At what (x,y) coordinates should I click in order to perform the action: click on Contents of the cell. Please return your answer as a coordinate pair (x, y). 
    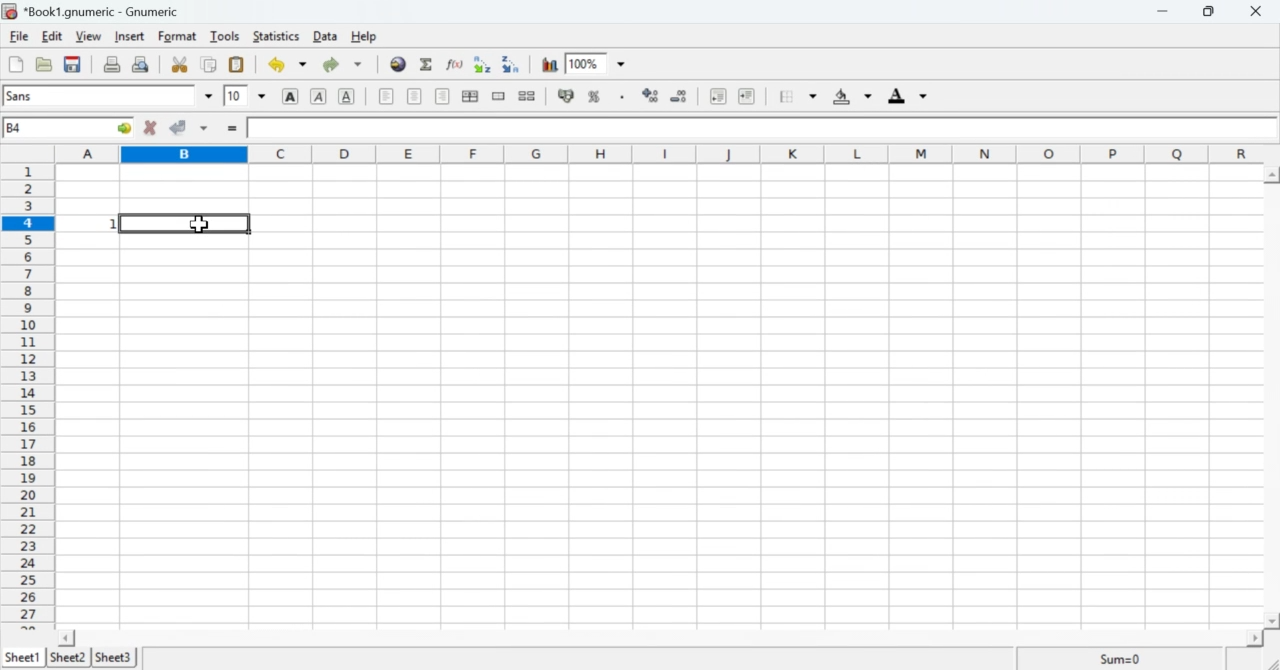
    Looking at the image, I should click on (755, 129).